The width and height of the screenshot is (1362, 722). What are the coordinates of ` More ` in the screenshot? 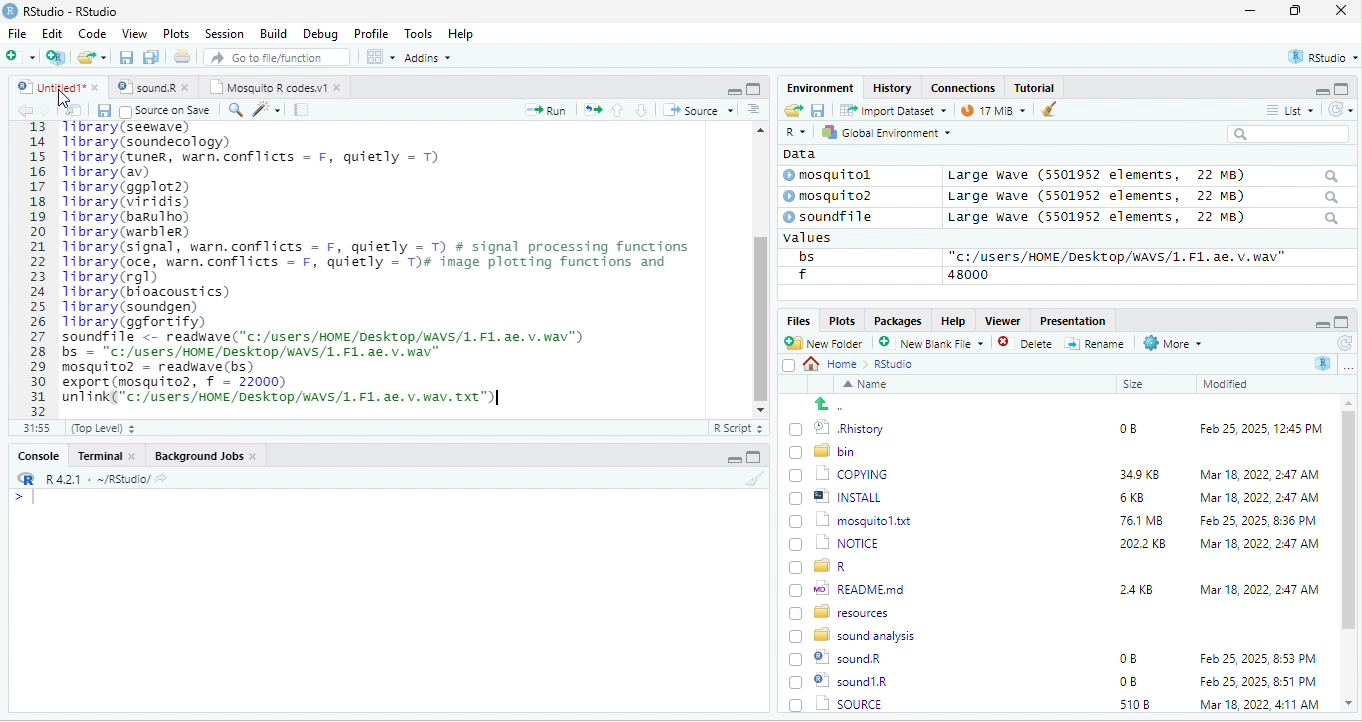 It's located at (1171, 344).